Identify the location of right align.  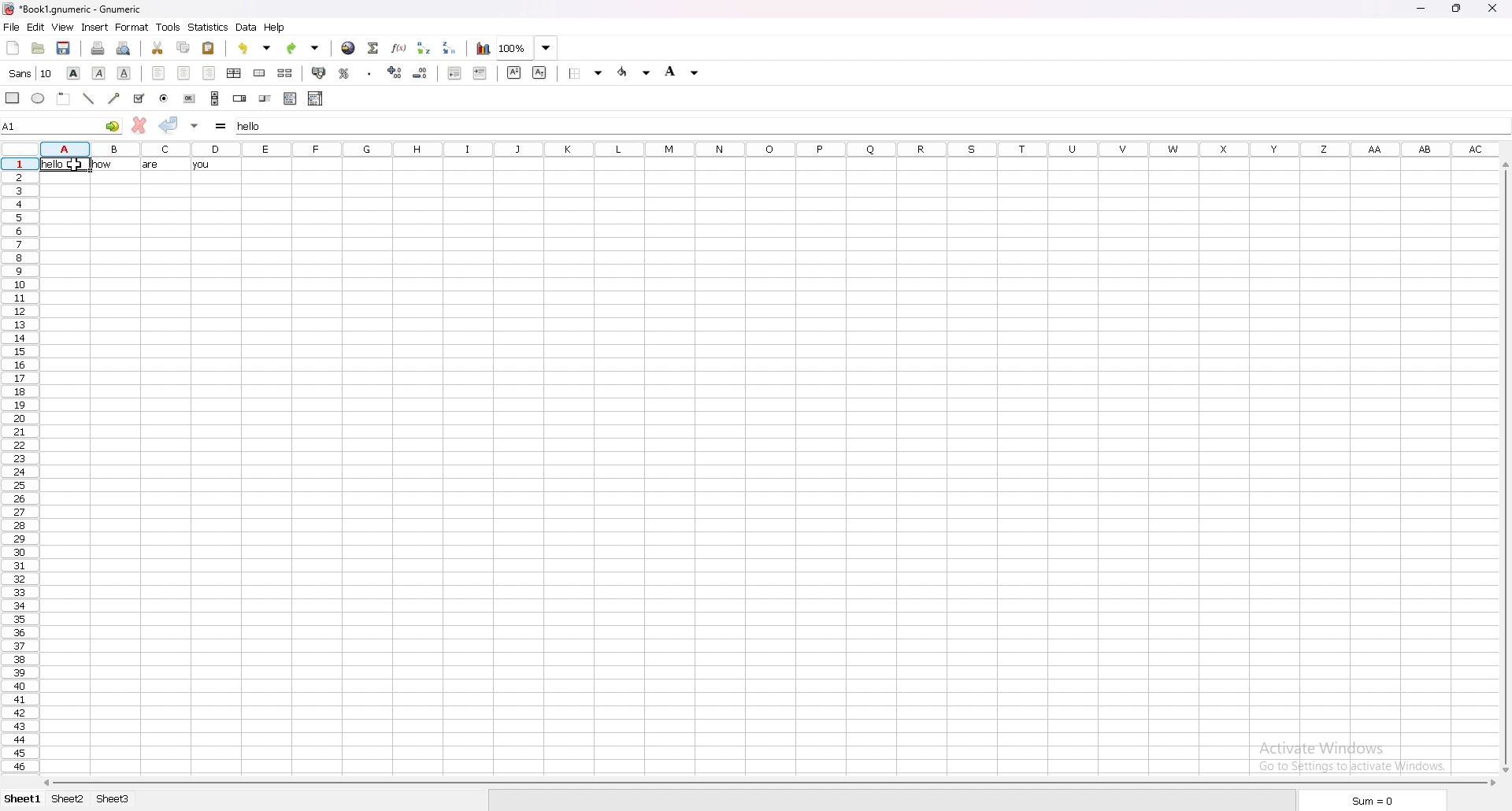
(209, 73).